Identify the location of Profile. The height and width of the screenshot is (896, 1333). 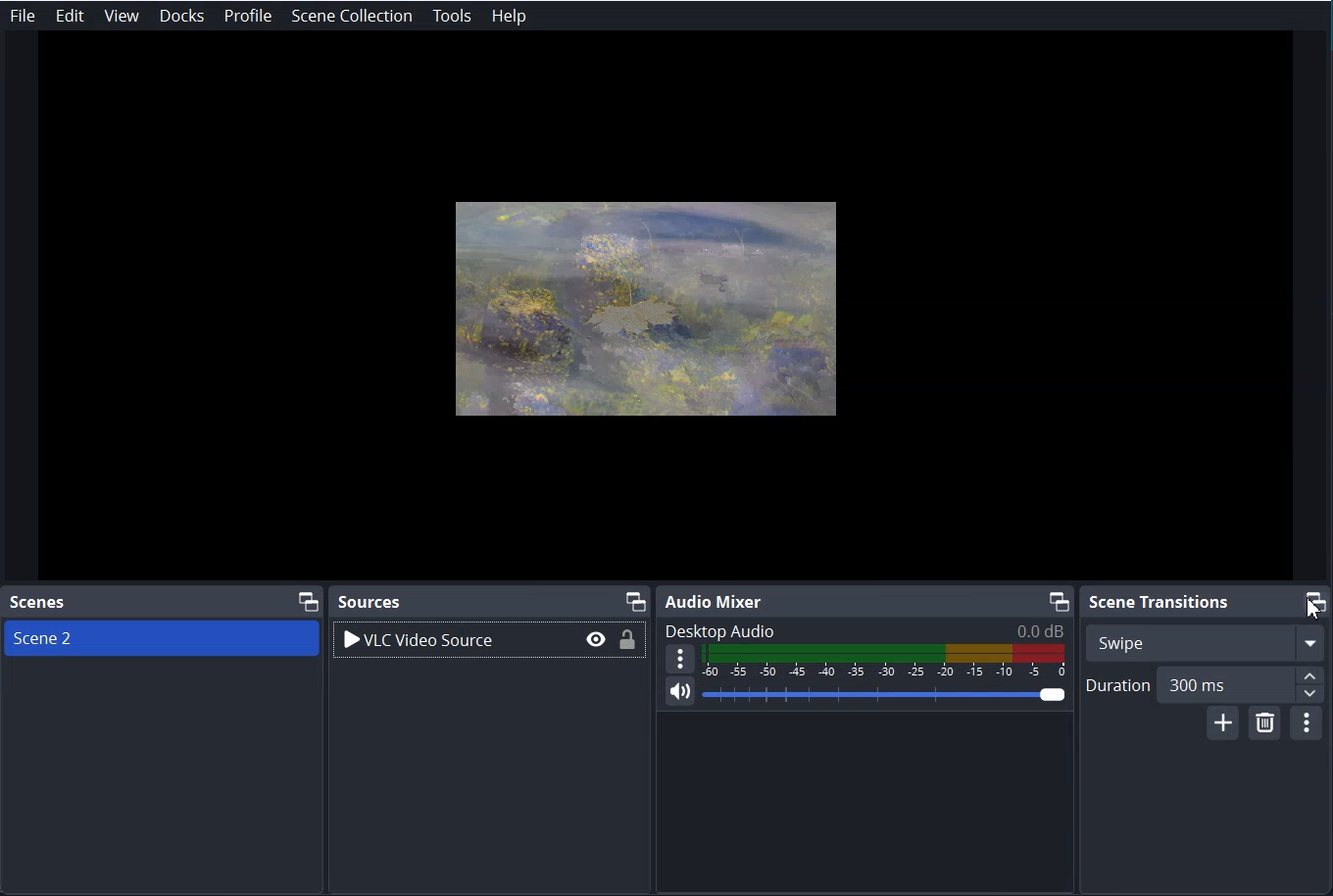
(248, 16).